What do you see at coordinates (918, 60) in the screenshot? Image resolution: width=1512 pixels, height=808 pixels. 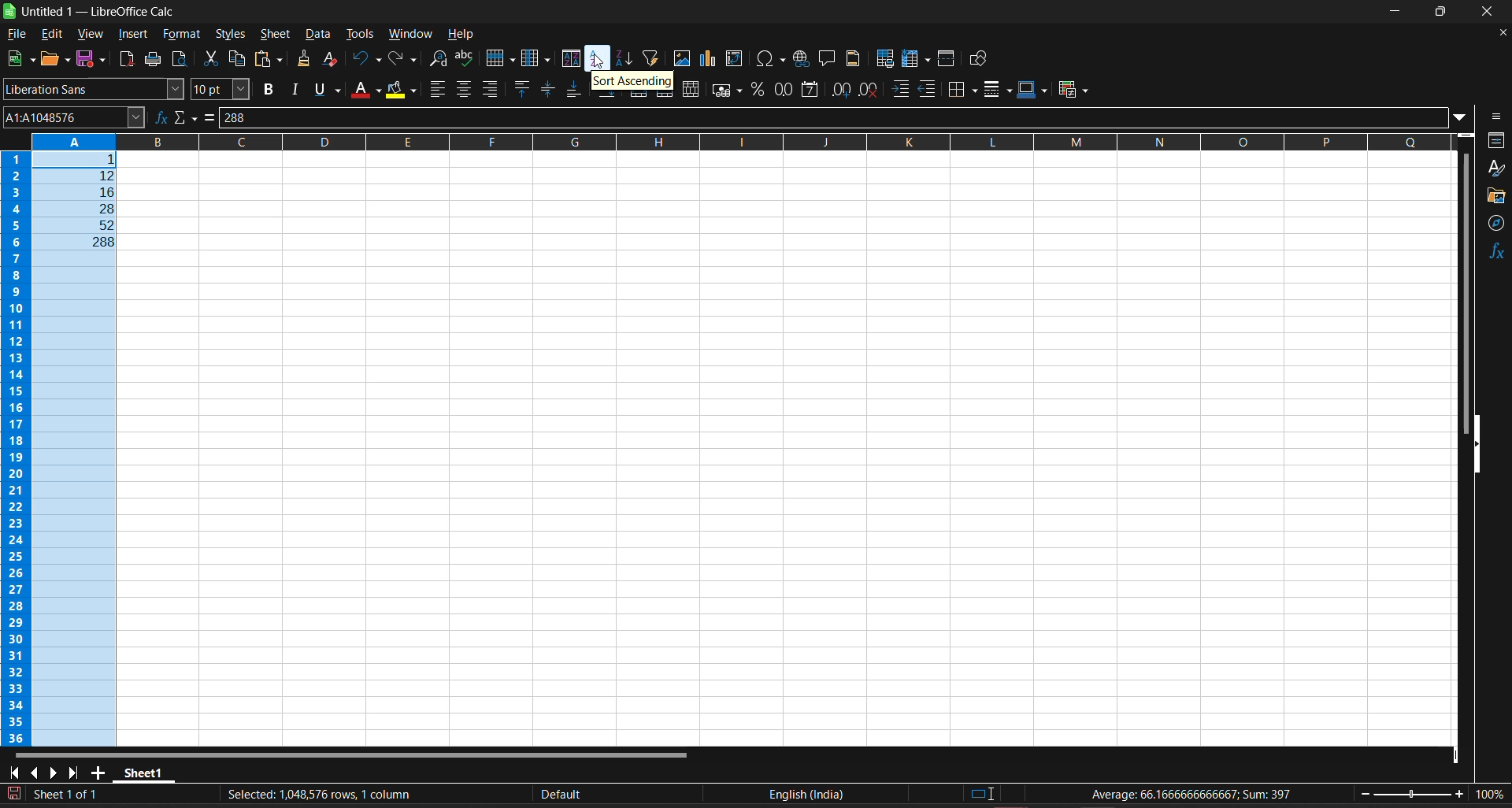 I see `freeze rows and columns` at bounding box center [918, 60].